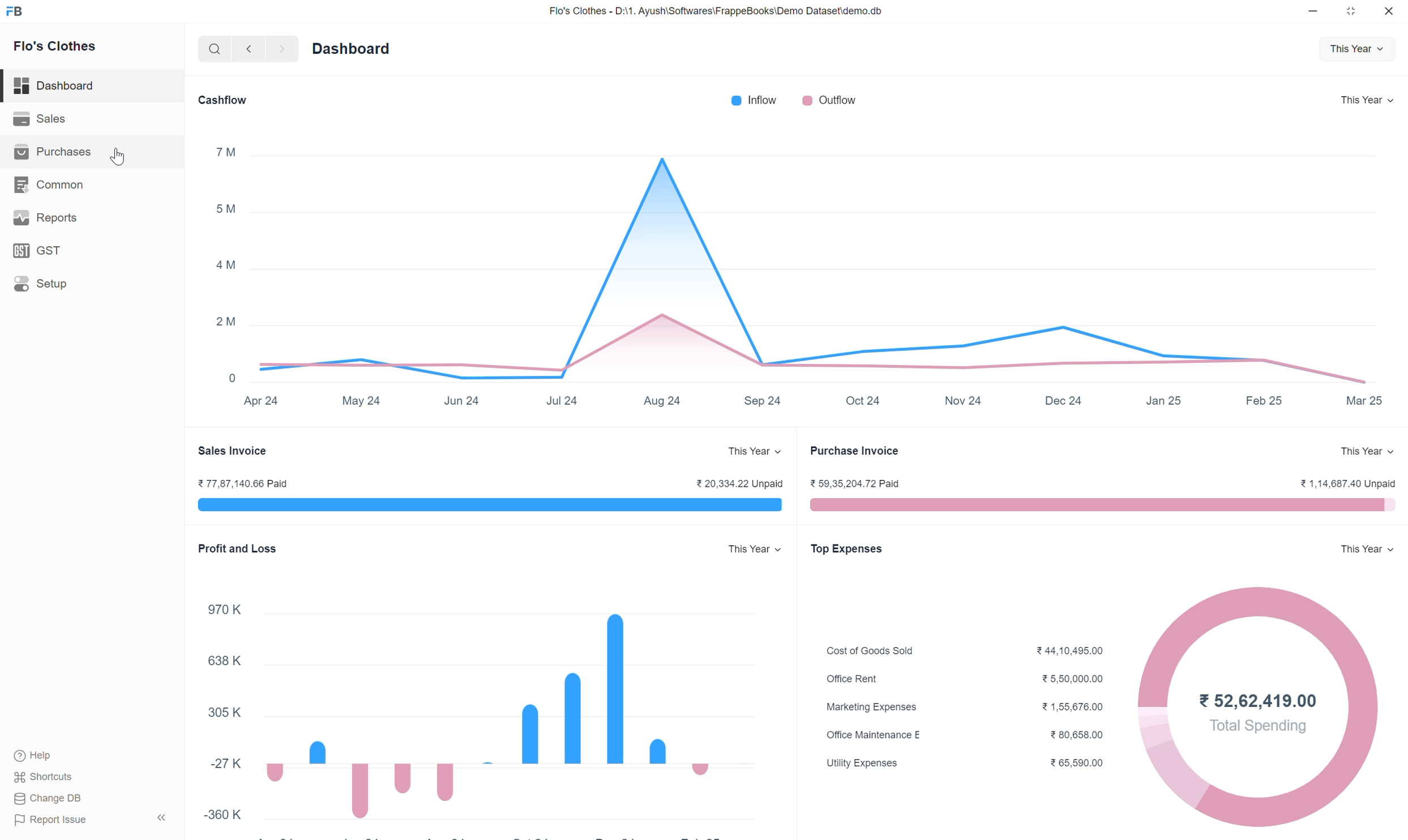 This screenshot has width=1408, height=840. What do you see at coordinates (863, 400) in the screenshot?
I see `Oct 24` at bounding box center [863, 400].